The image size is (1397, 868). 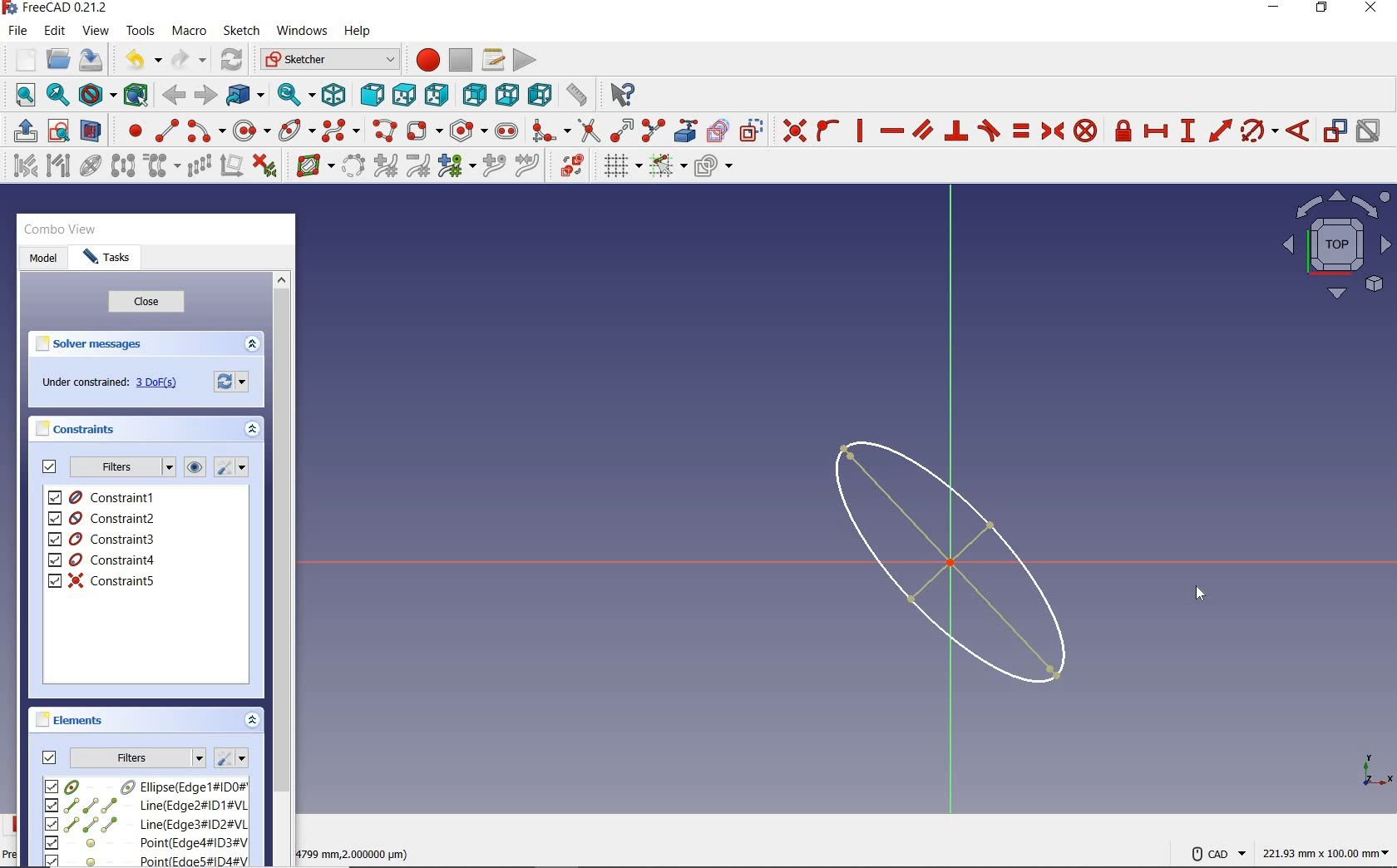 I want to click on macro recording, so click(x=422, y=59).